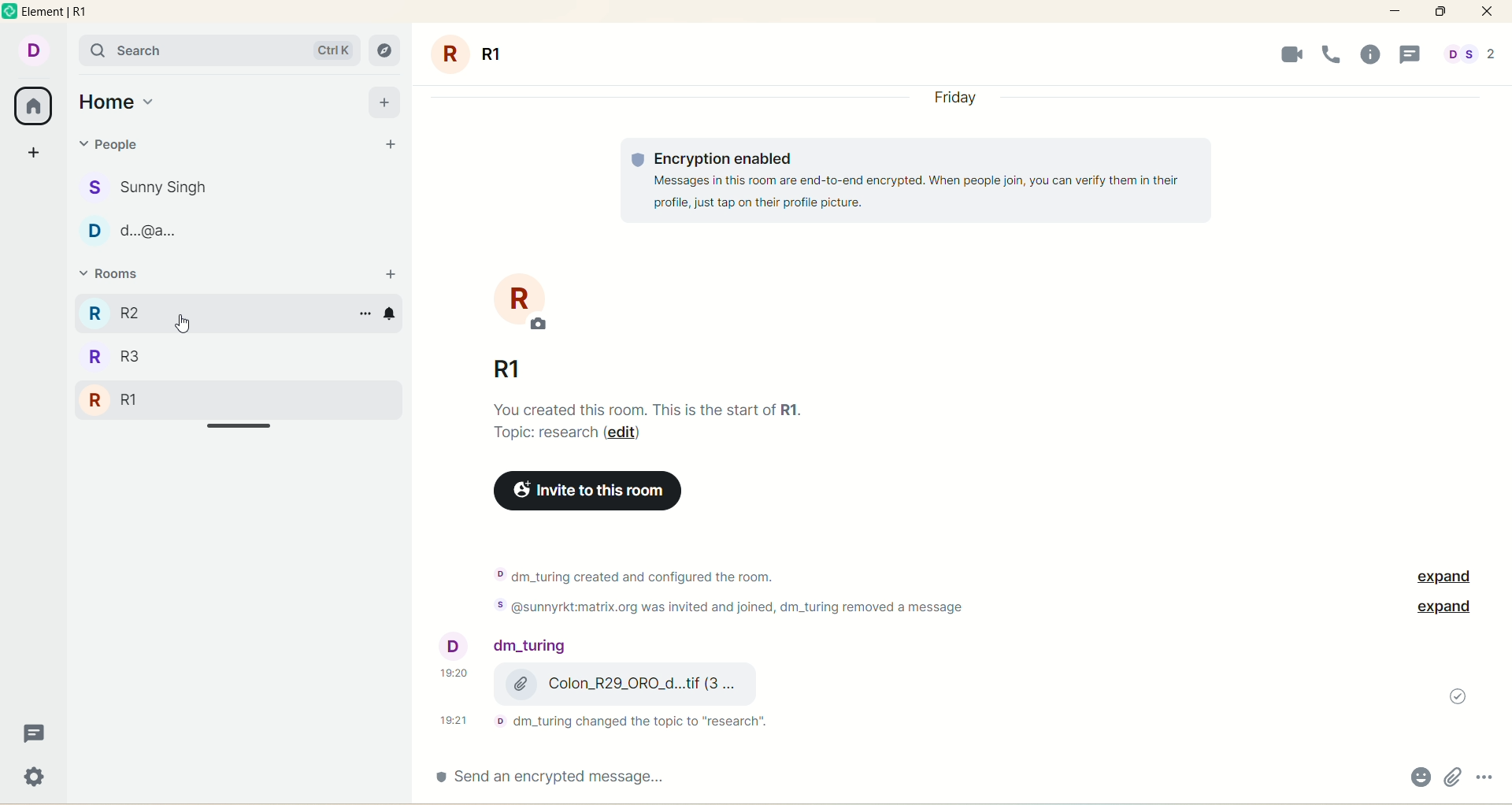 The height and width of the screenshot is (805, 1512). I want to click on R1, so click(119, 402).